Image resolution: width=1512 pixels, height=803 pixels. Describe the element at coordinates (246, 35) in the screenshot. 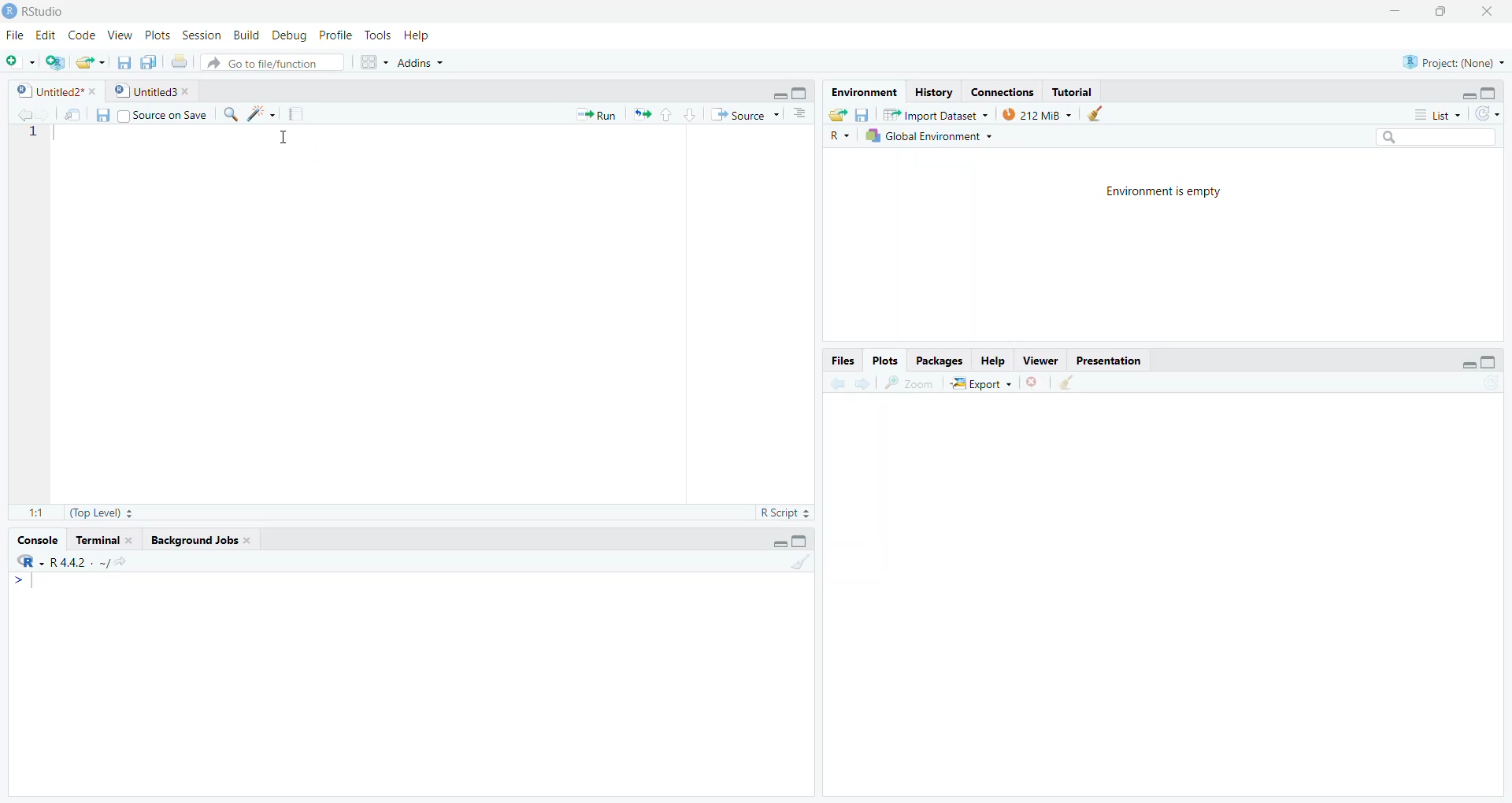

I see `build` at that location.